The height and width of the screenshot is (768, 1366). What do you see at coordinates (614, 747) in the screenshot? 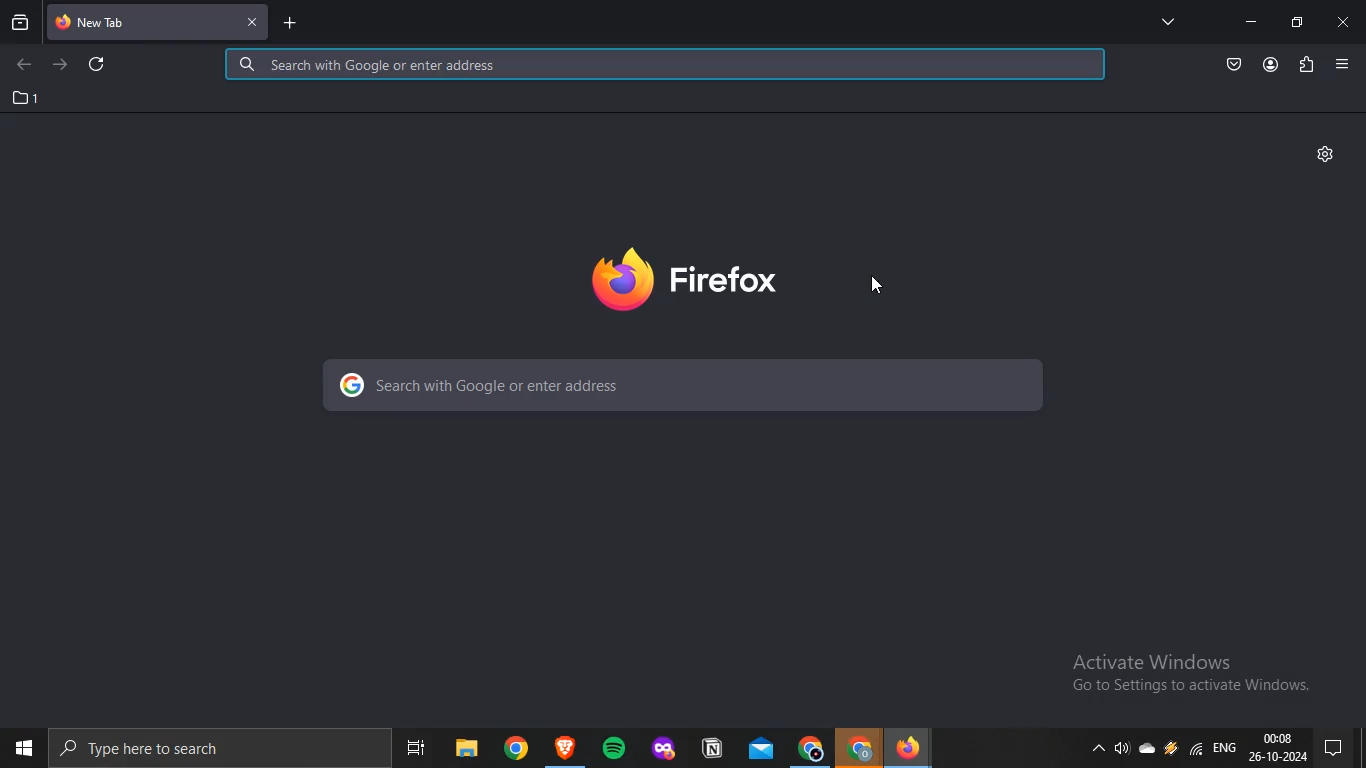
I see `spotify` at bounding box center [614, 747].